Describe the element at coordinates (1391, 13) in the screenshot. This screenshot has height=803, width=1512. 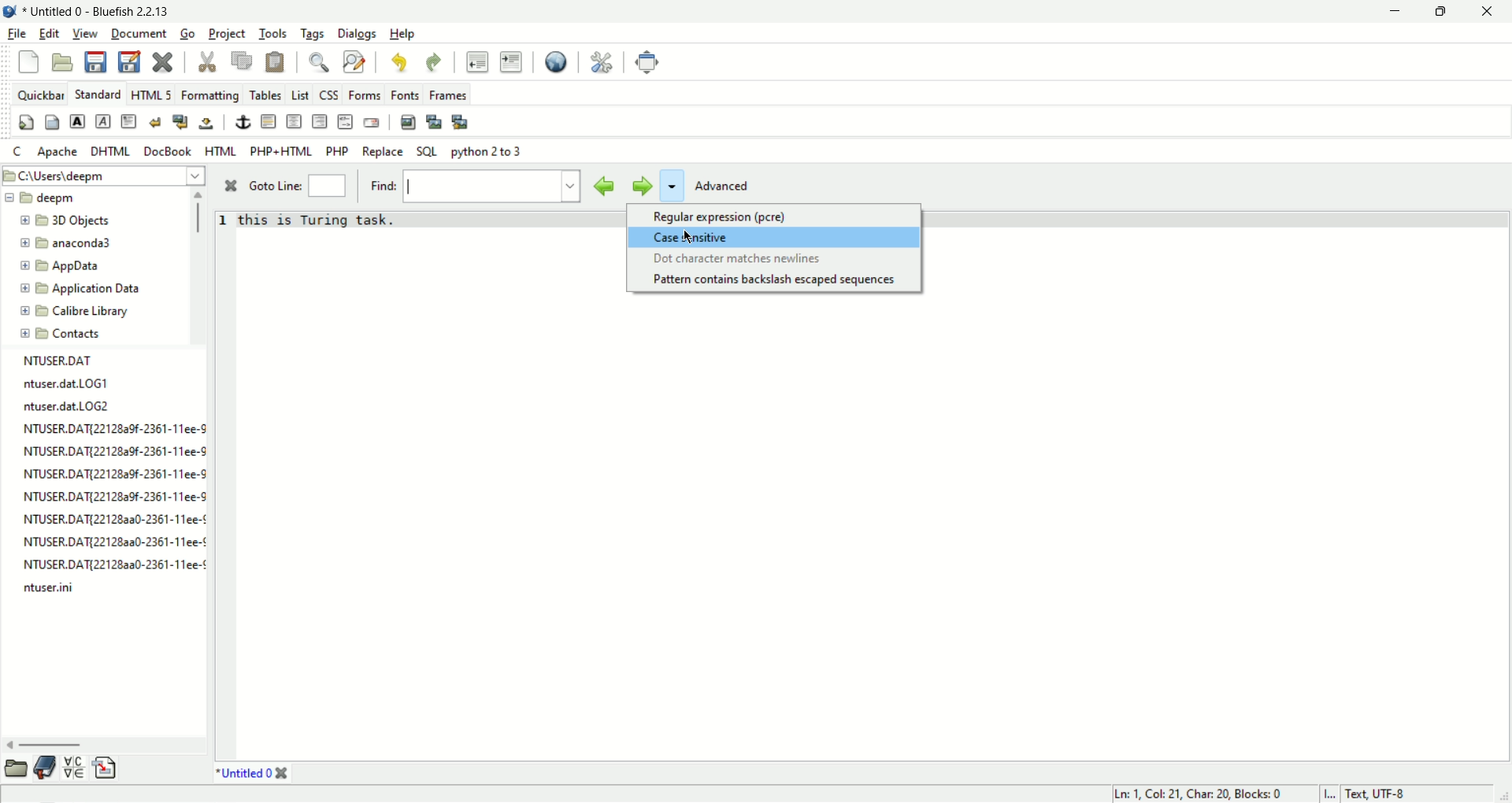
I see `minimize` at that location.